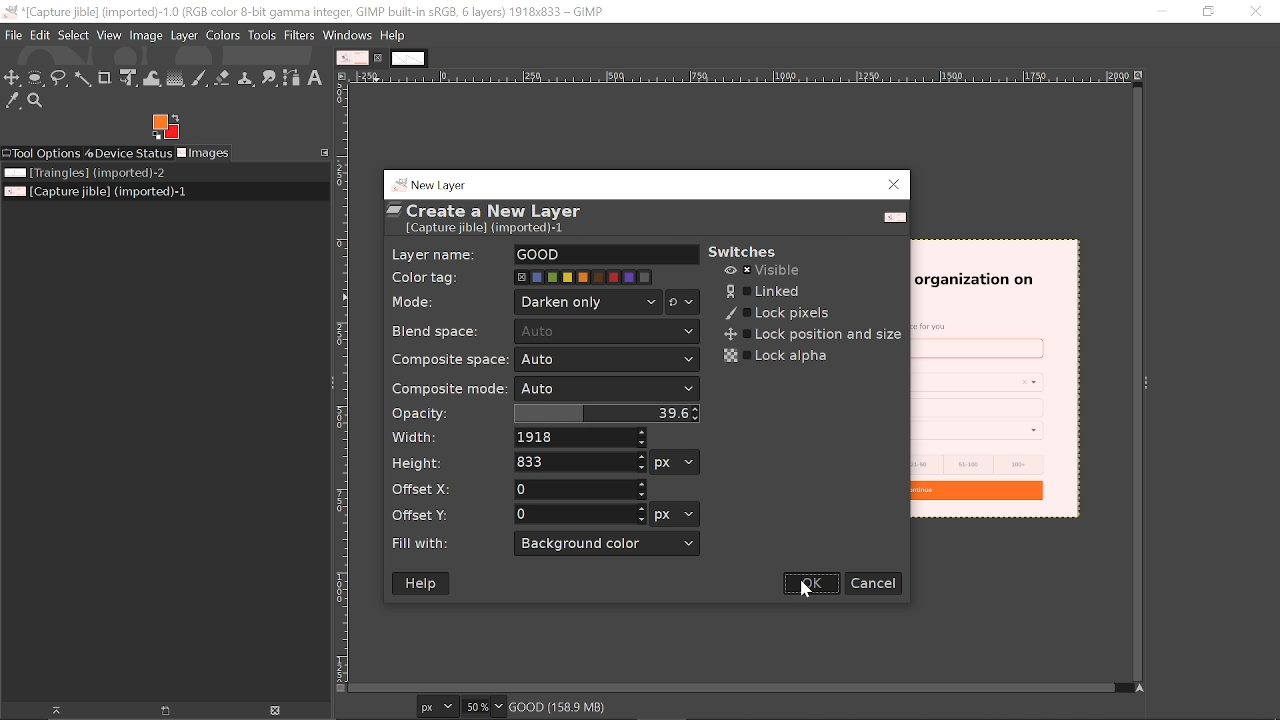 Image resolution: width=1280 pixels, height=720 pixels. Describe the element at coordinates (347, 35) in the screenshot. I see `windows` at that location.